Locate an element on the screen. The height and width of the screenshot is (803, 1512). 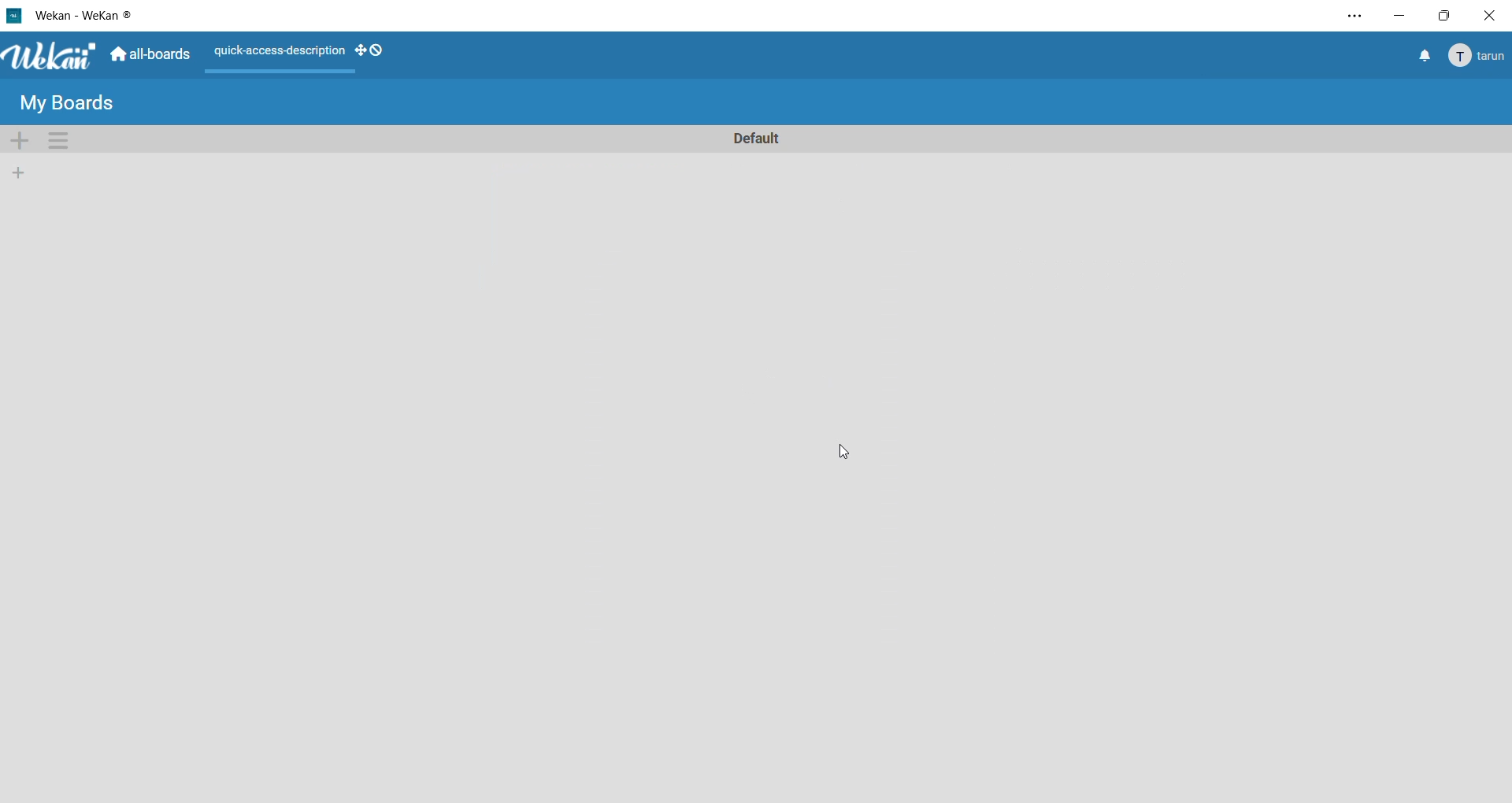
all boards is located at coordinates (152, 57).